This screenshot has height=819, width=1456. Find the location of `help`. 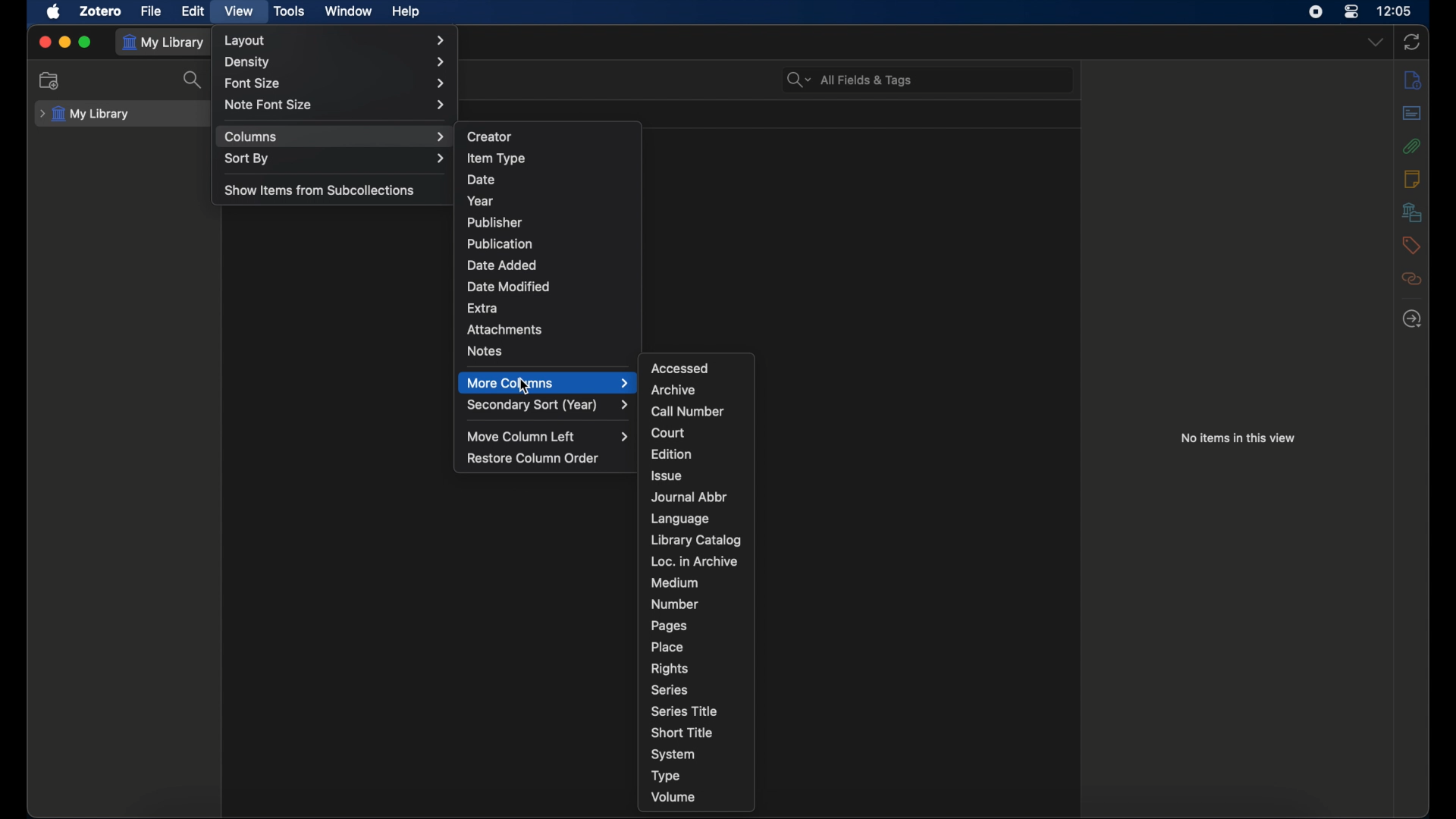

help is located at coordinates (406, 12).